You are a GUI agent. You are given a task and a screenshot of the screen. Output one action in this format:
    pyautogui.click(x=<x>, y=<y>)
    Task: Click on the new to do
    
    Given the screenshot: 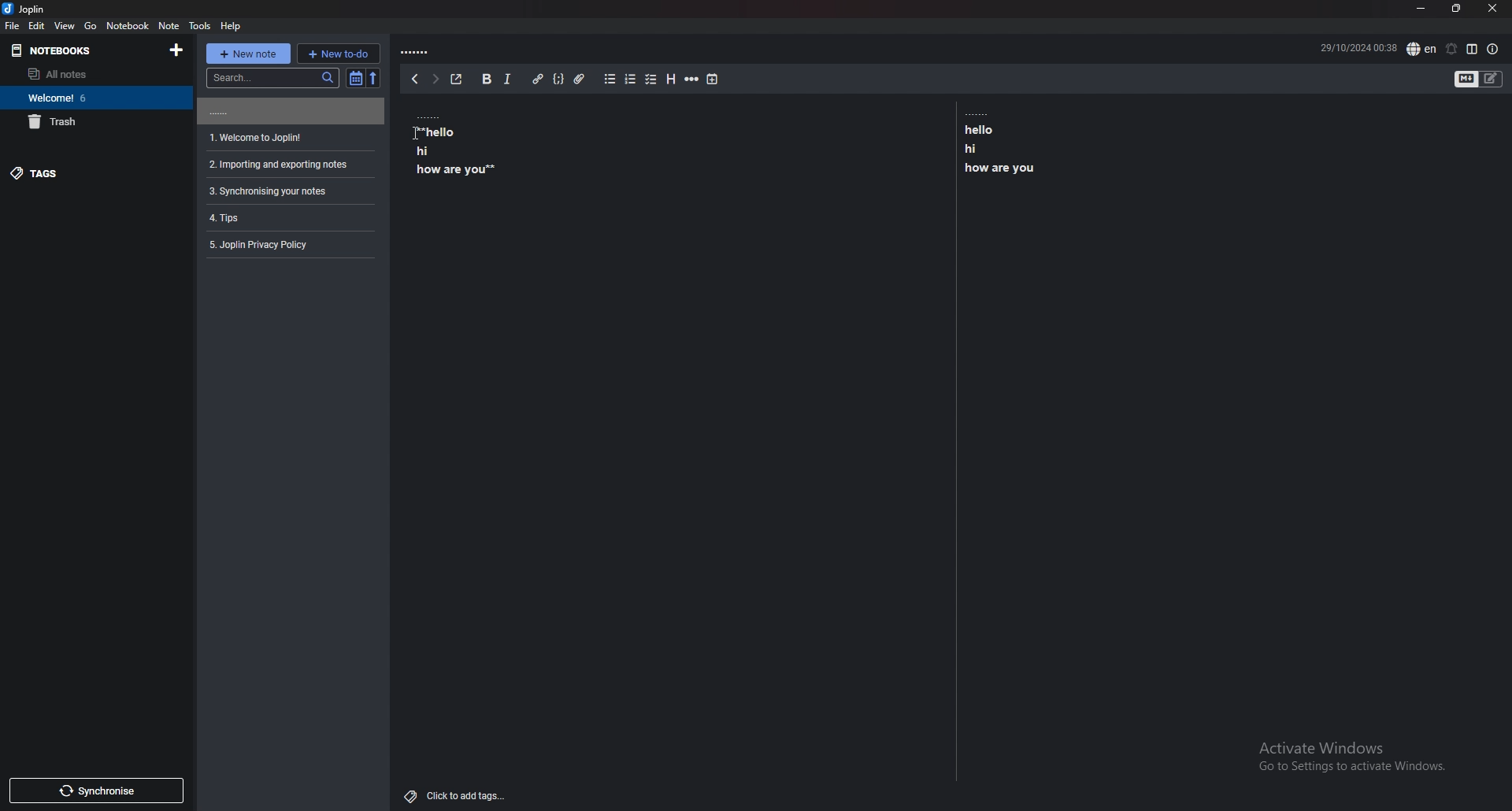 What is the action you would take?
    pyautogui.click(x=339, y=54)
    